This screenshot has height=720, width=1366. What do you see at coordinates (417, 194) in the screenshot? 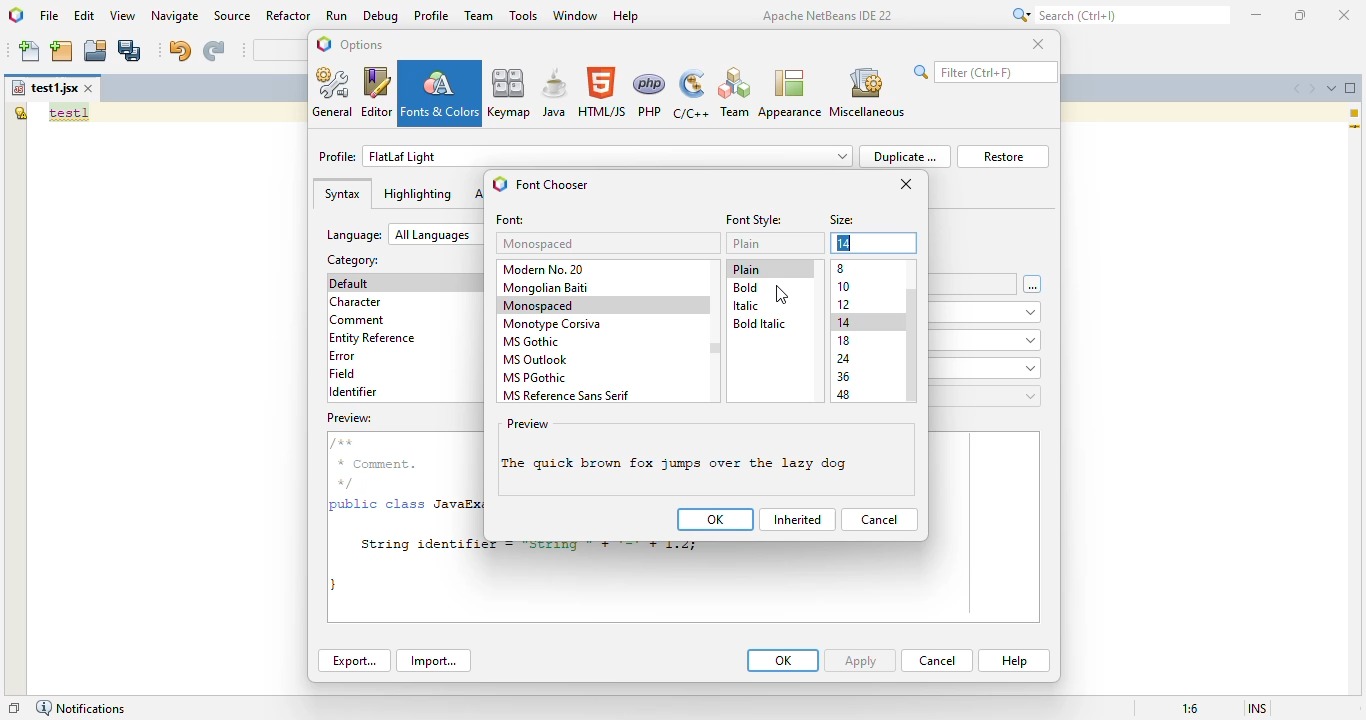
I see `highlighting` at bounding box center [417, 194].